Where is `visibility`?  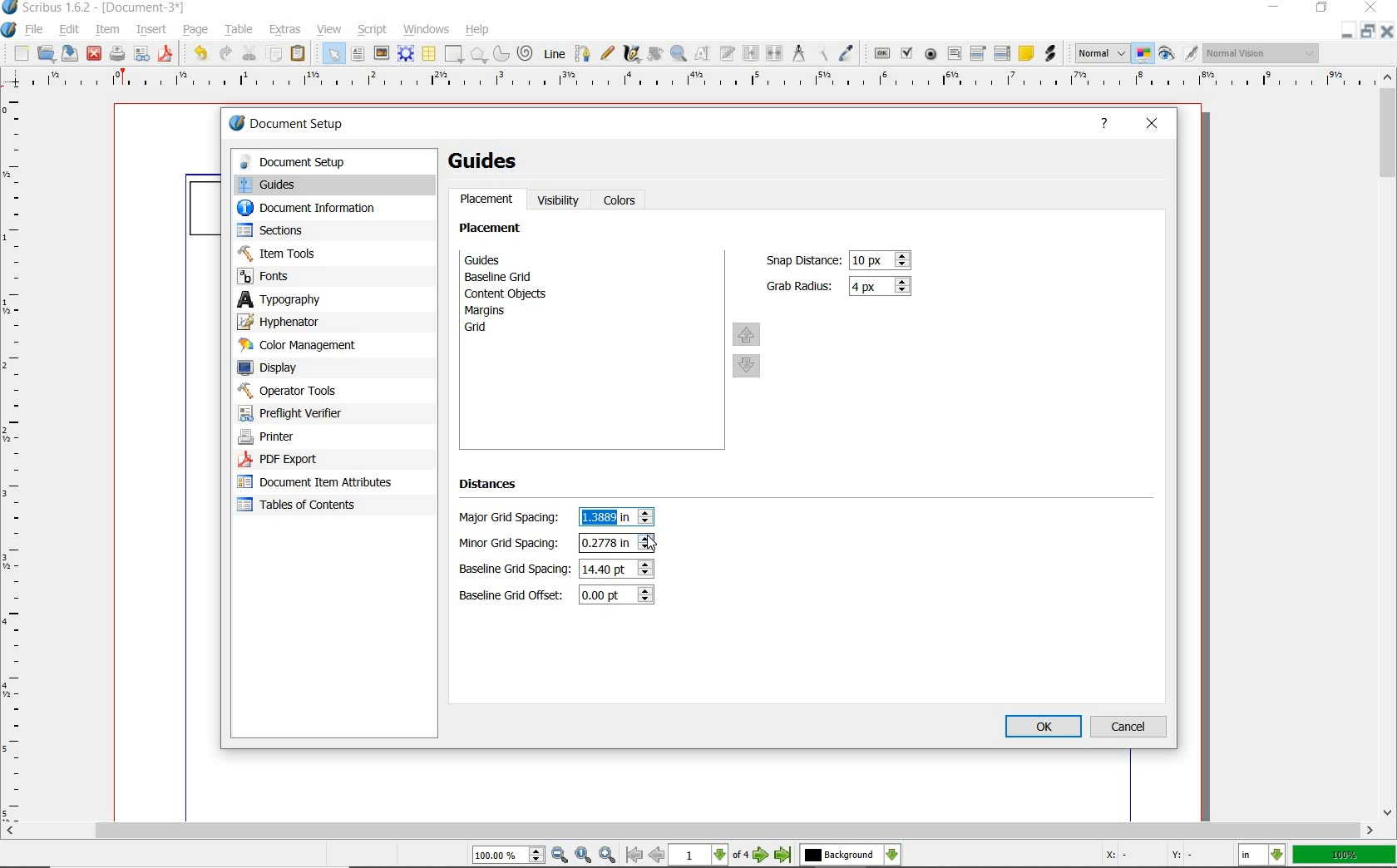 visibility is located at coordinates (559, 200).